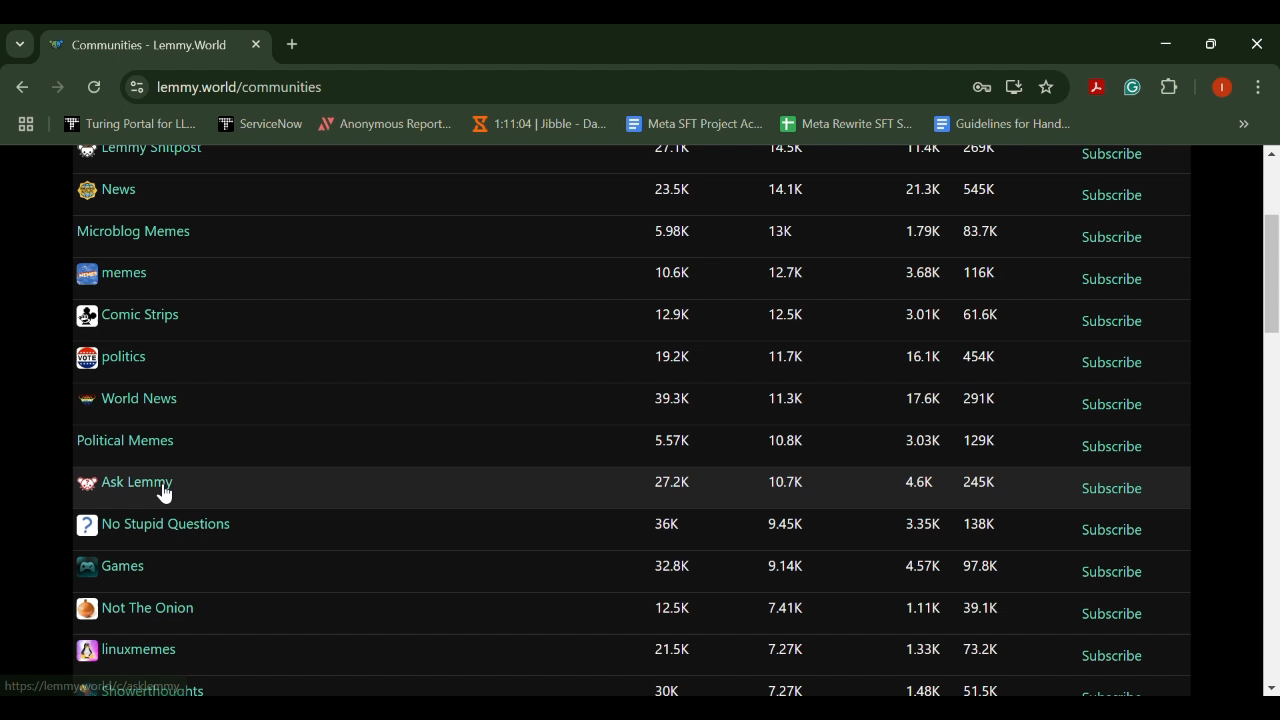 The image size is (1280, 720). Describe the element at coordinates (96, 89) in the screenshot. I see `Refresh Webpage` at that location.